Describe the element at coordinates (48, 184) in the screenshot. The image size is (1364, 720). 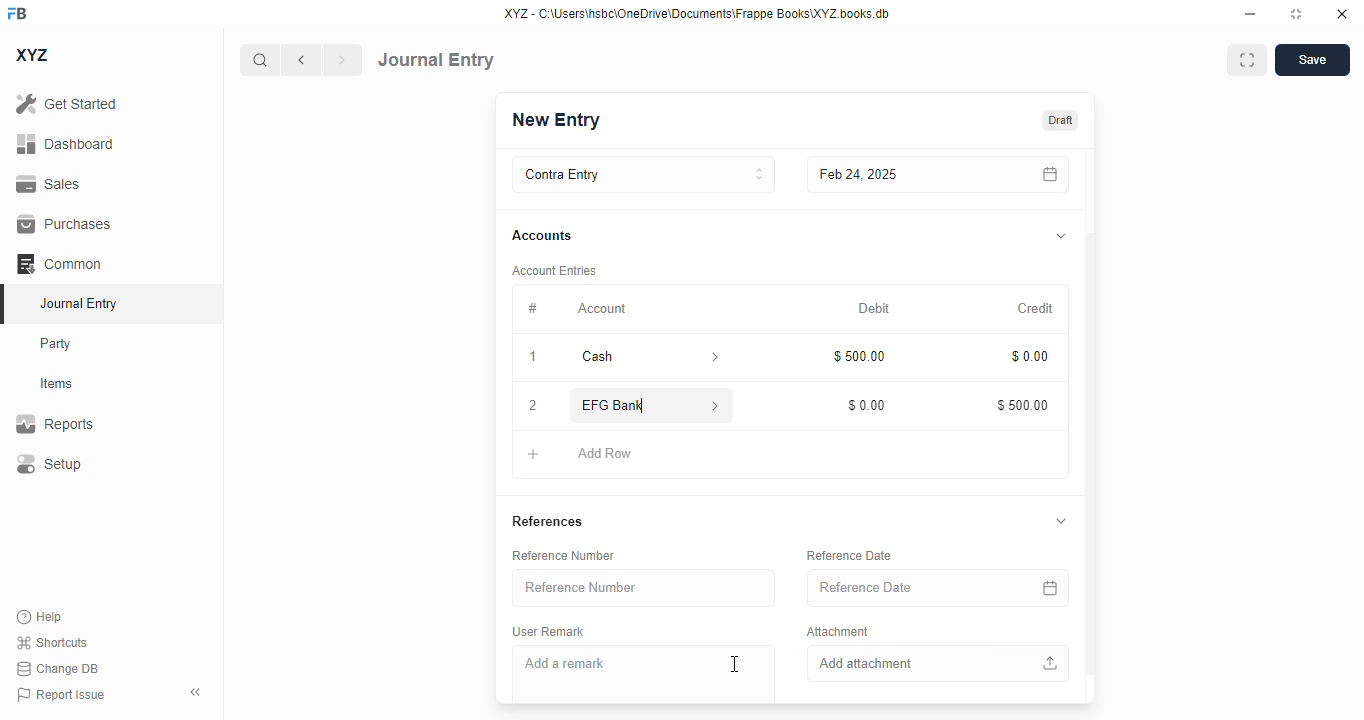
I see `sales` at that location.